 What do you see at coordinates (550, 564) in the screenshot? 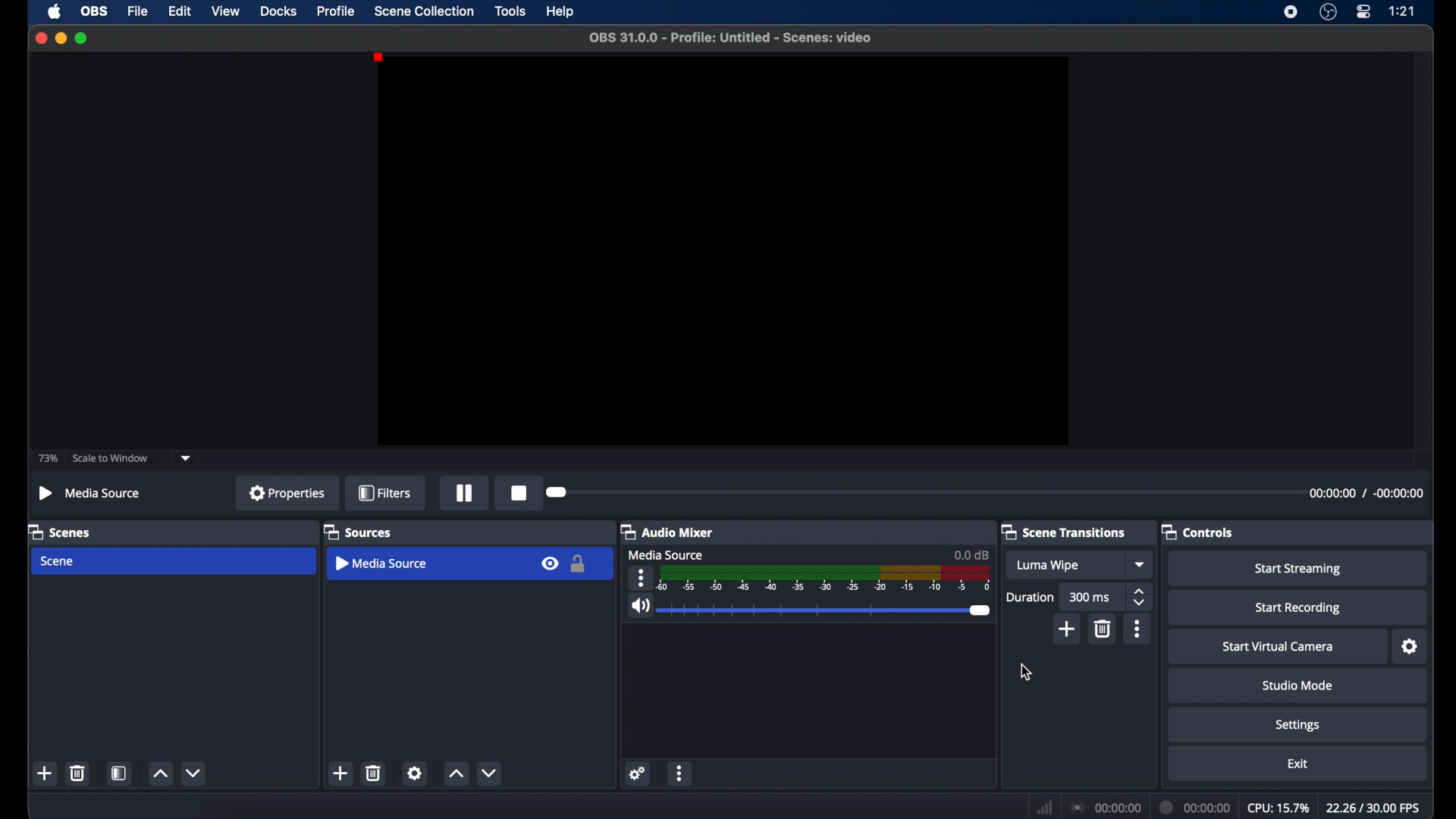
I see `visibility icon` at bounding box center [550, 564].